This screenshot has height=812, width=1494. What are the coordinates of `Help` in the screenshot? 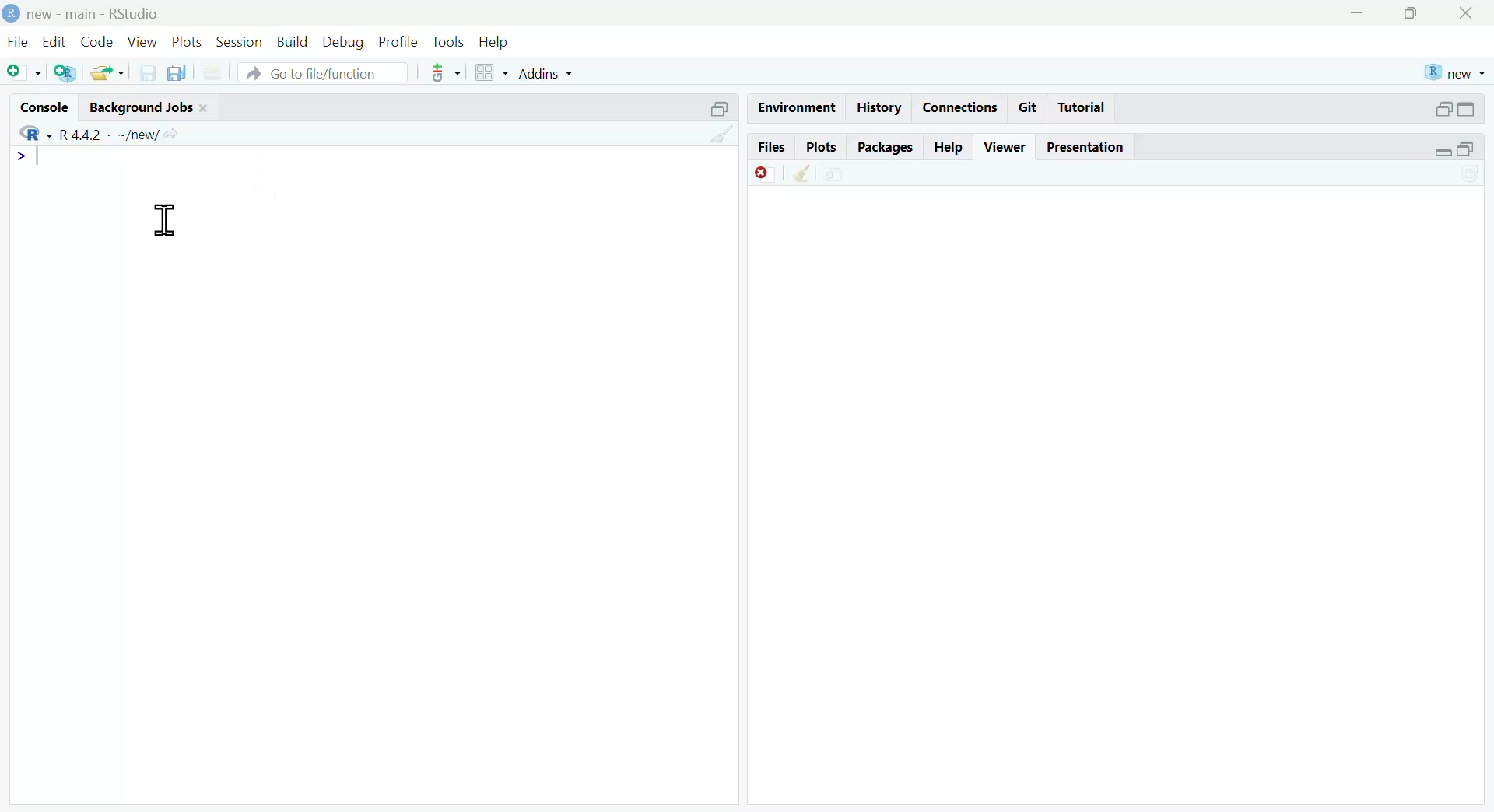 It's located at (497, 41).